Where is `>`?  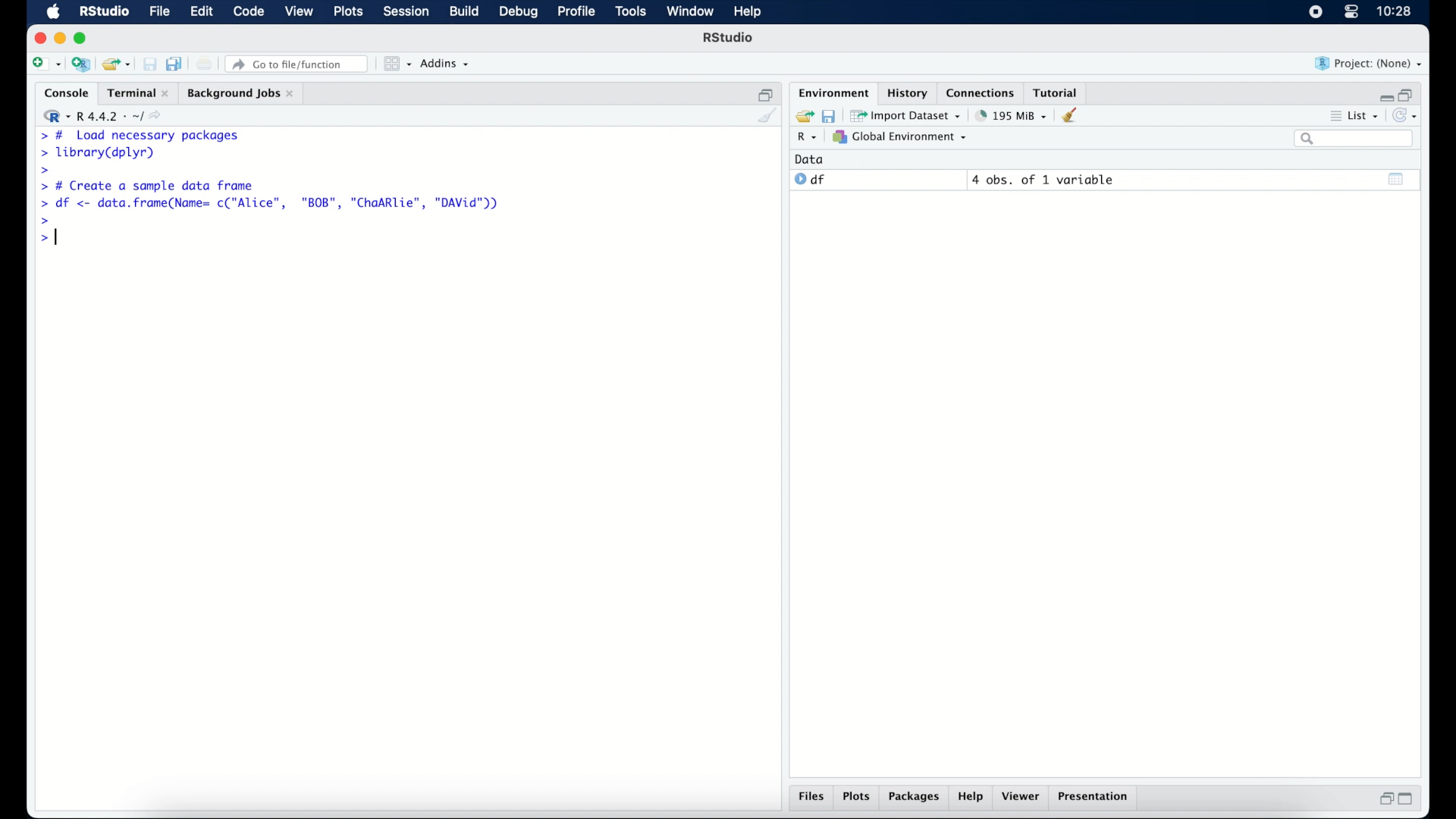 > is located at coordinates (49, 239).